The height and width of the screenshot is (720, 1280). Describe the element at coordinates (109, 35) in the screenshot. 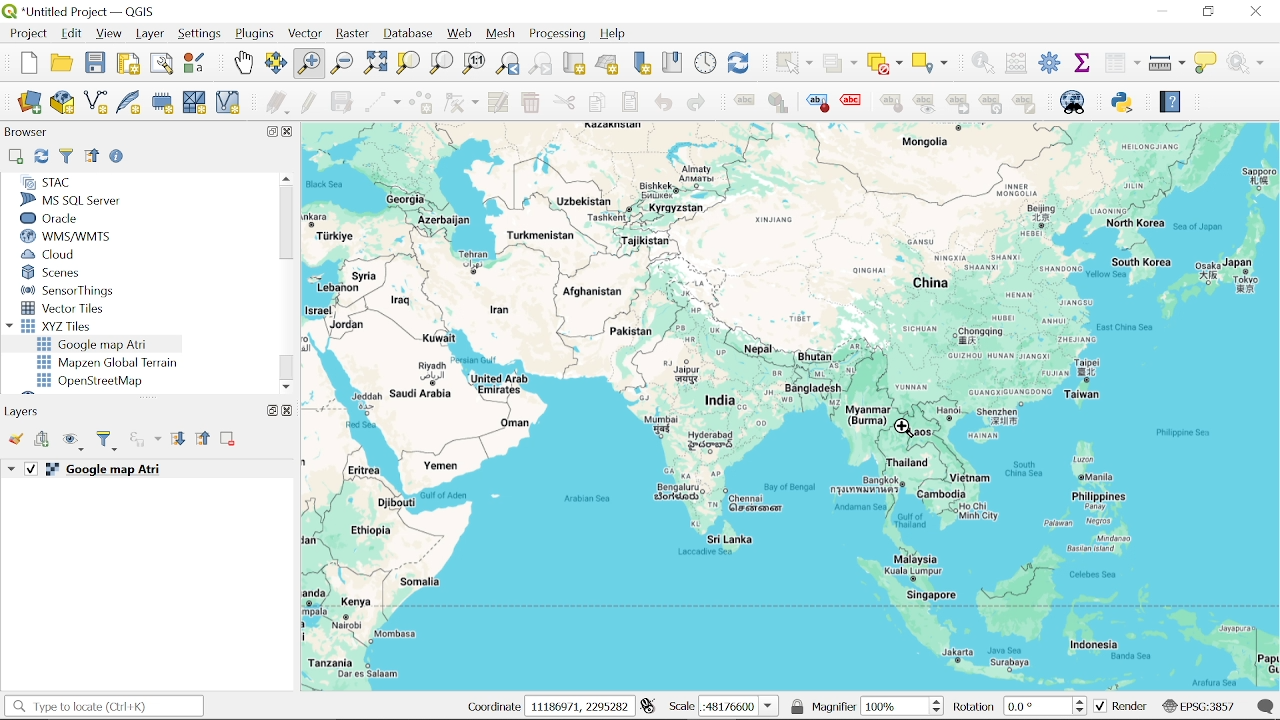

I see `View` at that location.